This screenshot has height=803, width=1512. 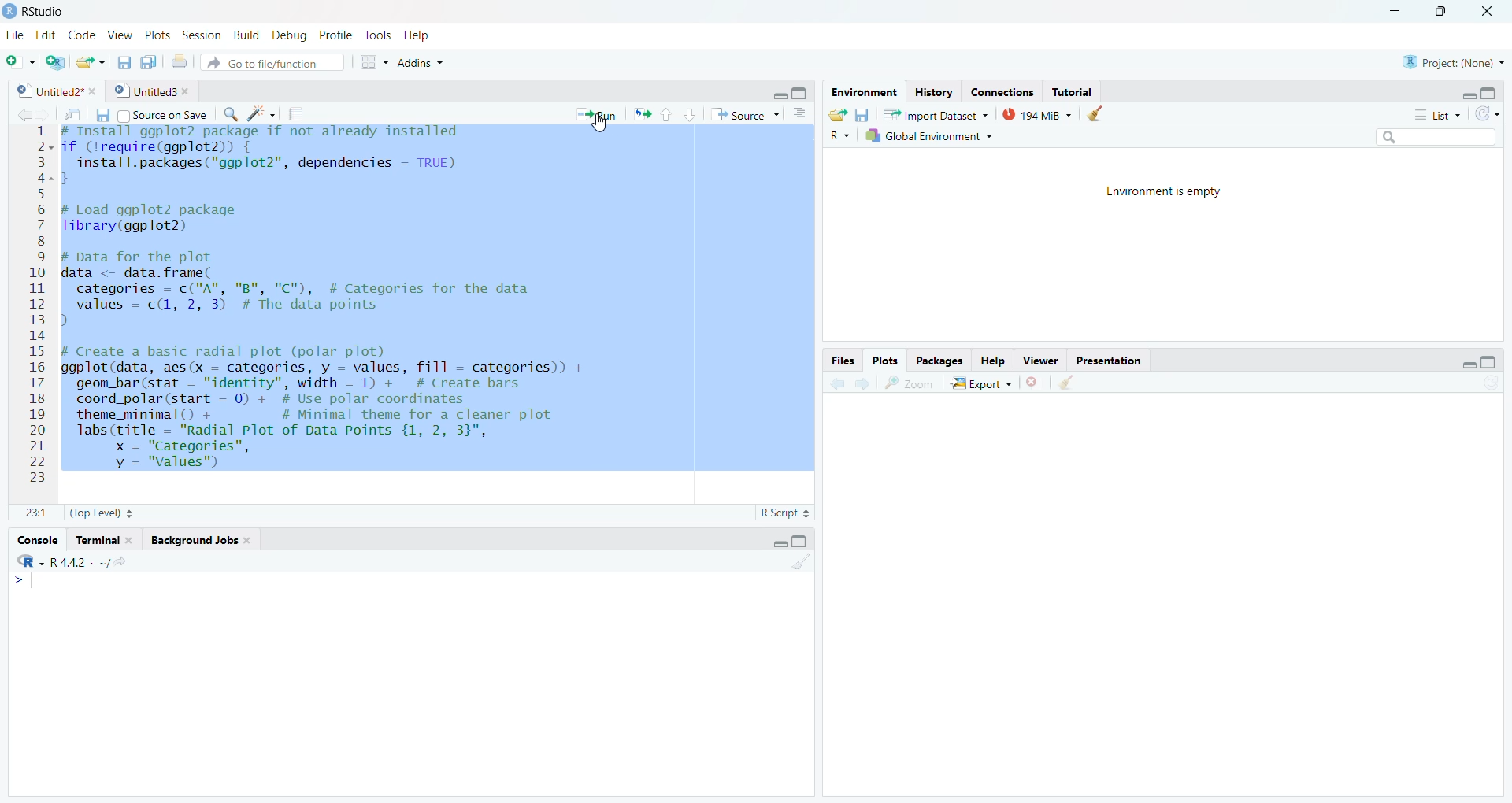 I want to click on Zoom, so click(x=910, y=383).